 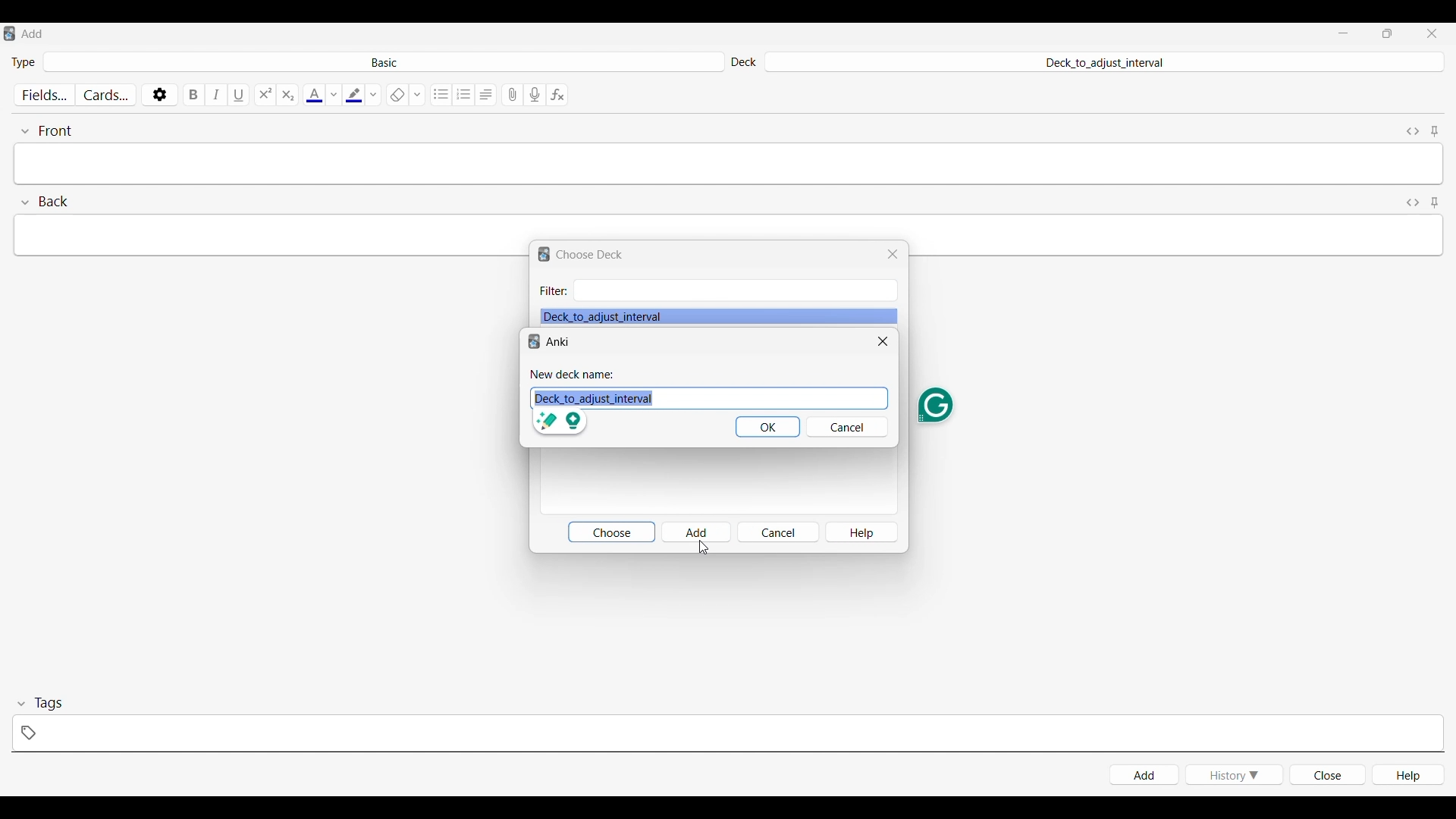 I want to click on Type in filter, so click(x=734, y=290).